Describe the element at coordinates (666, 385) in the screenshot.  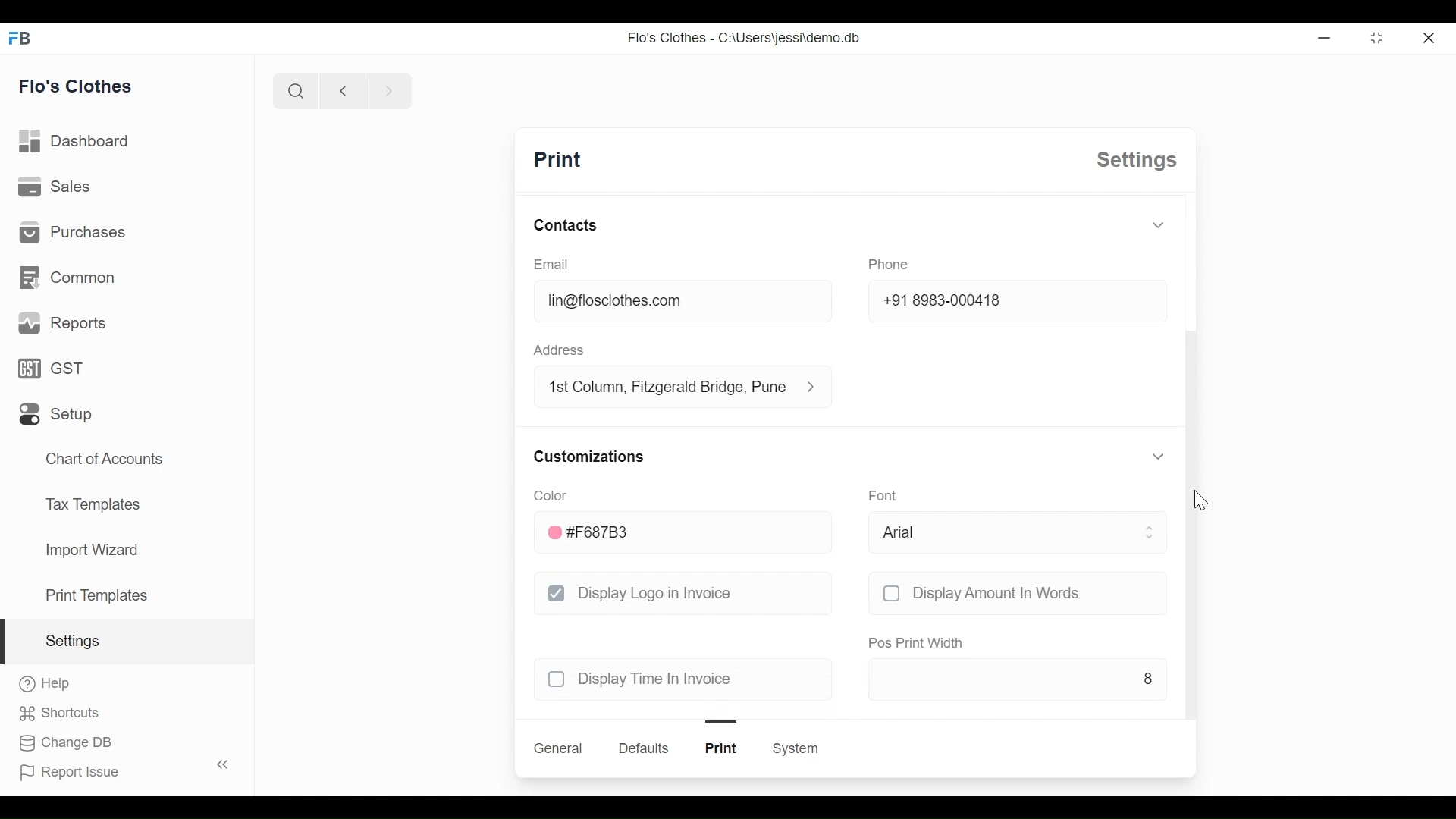
I see `1st column, fitzgerald bridge, Pune` at that location.